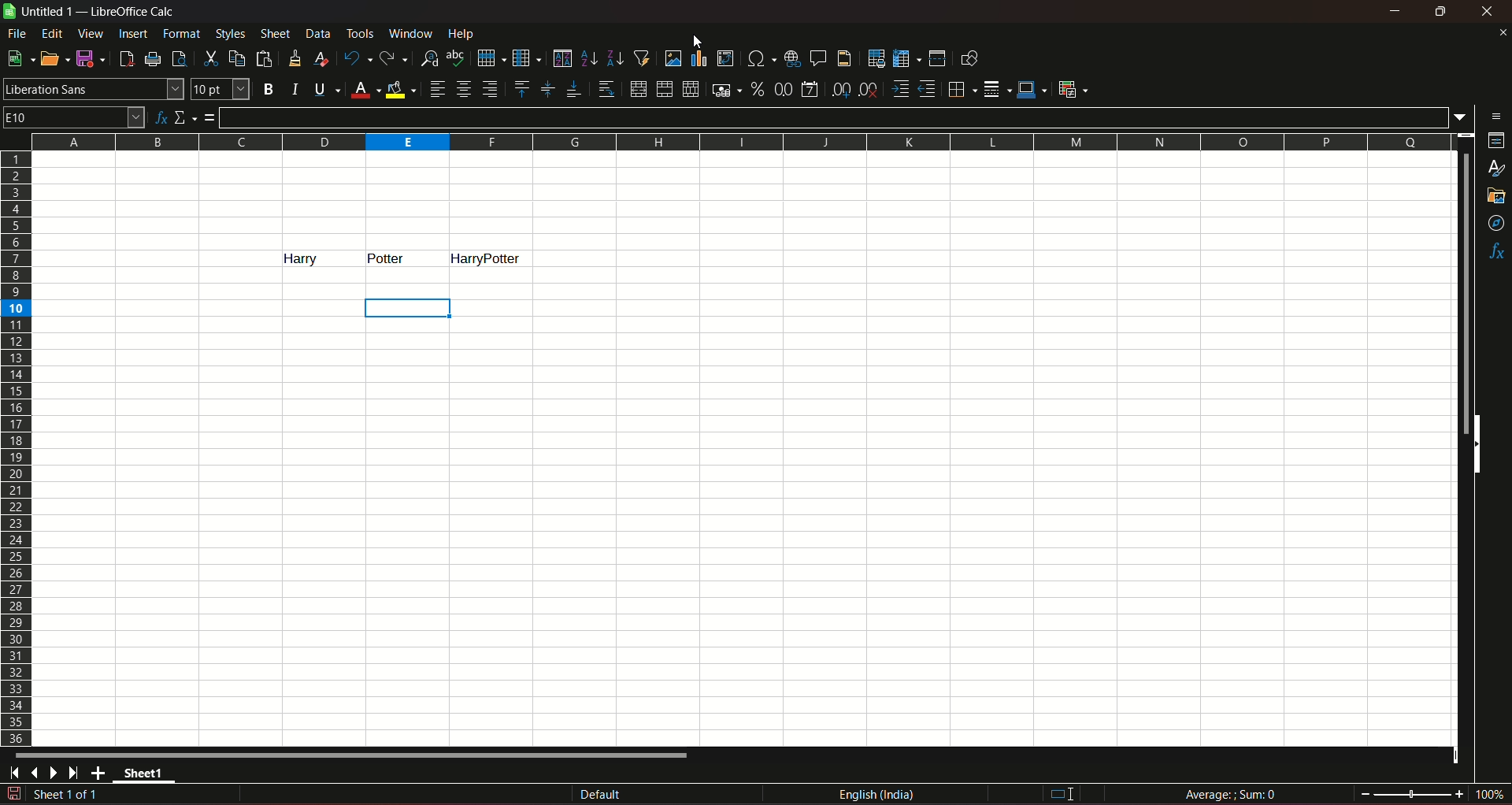 The height and width of the screenshot is (805, 1512). I want to click on format, so click(183, 33).